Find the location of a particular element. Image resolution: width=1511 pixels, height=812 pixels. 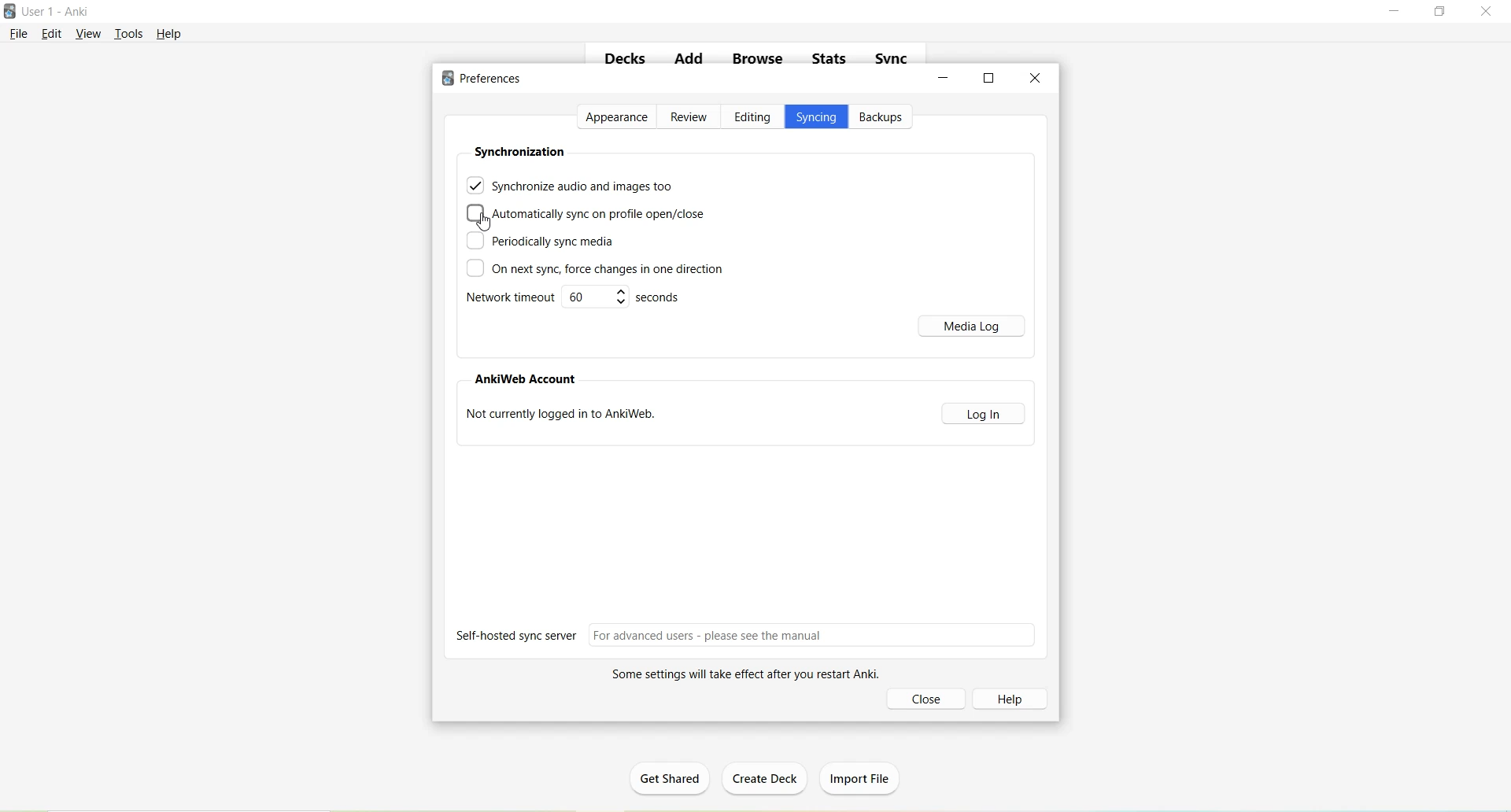

Appearance is located at coordinates (618, 117).